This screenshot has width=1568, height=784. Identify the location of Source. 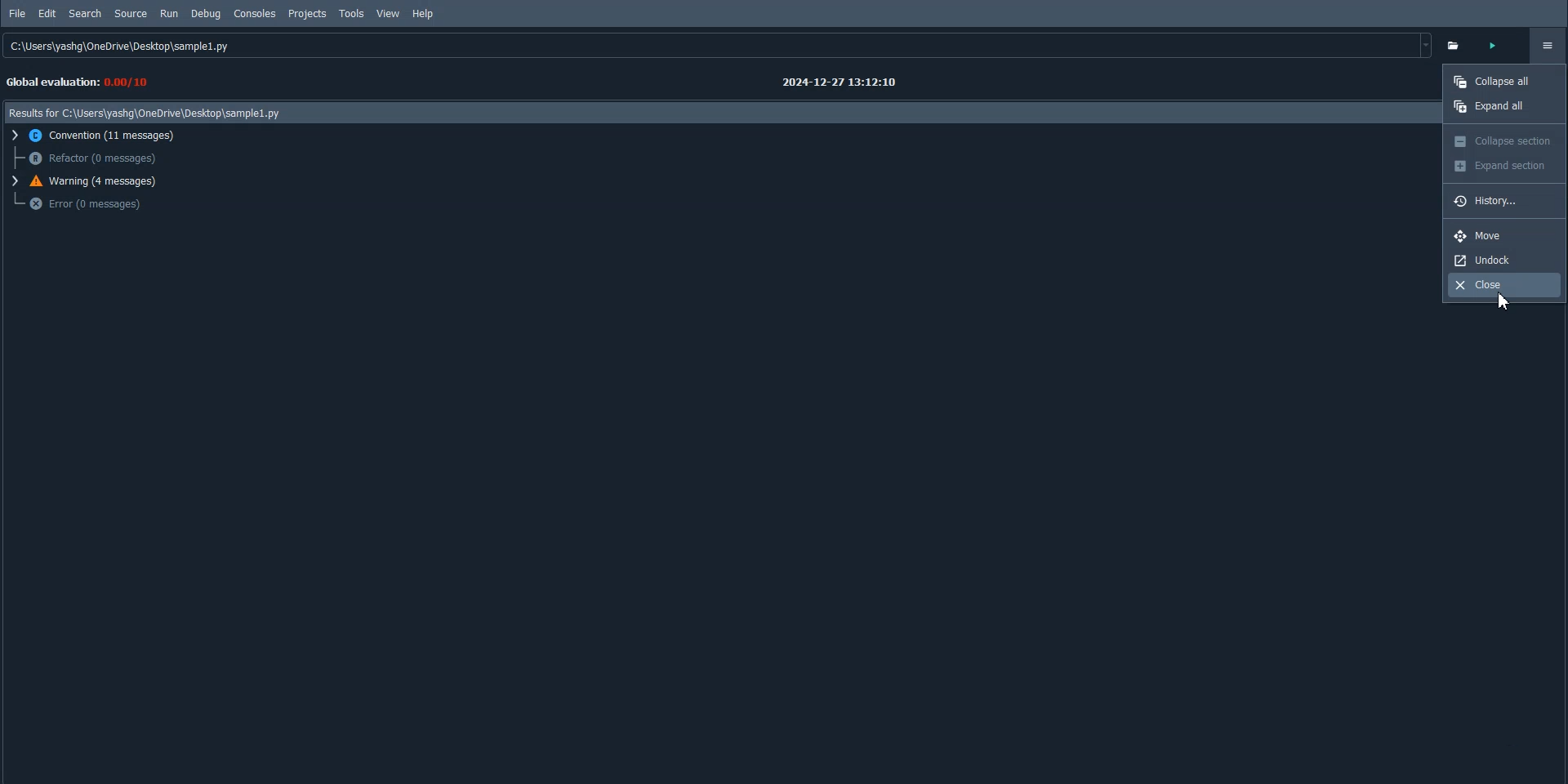
(131, 14).